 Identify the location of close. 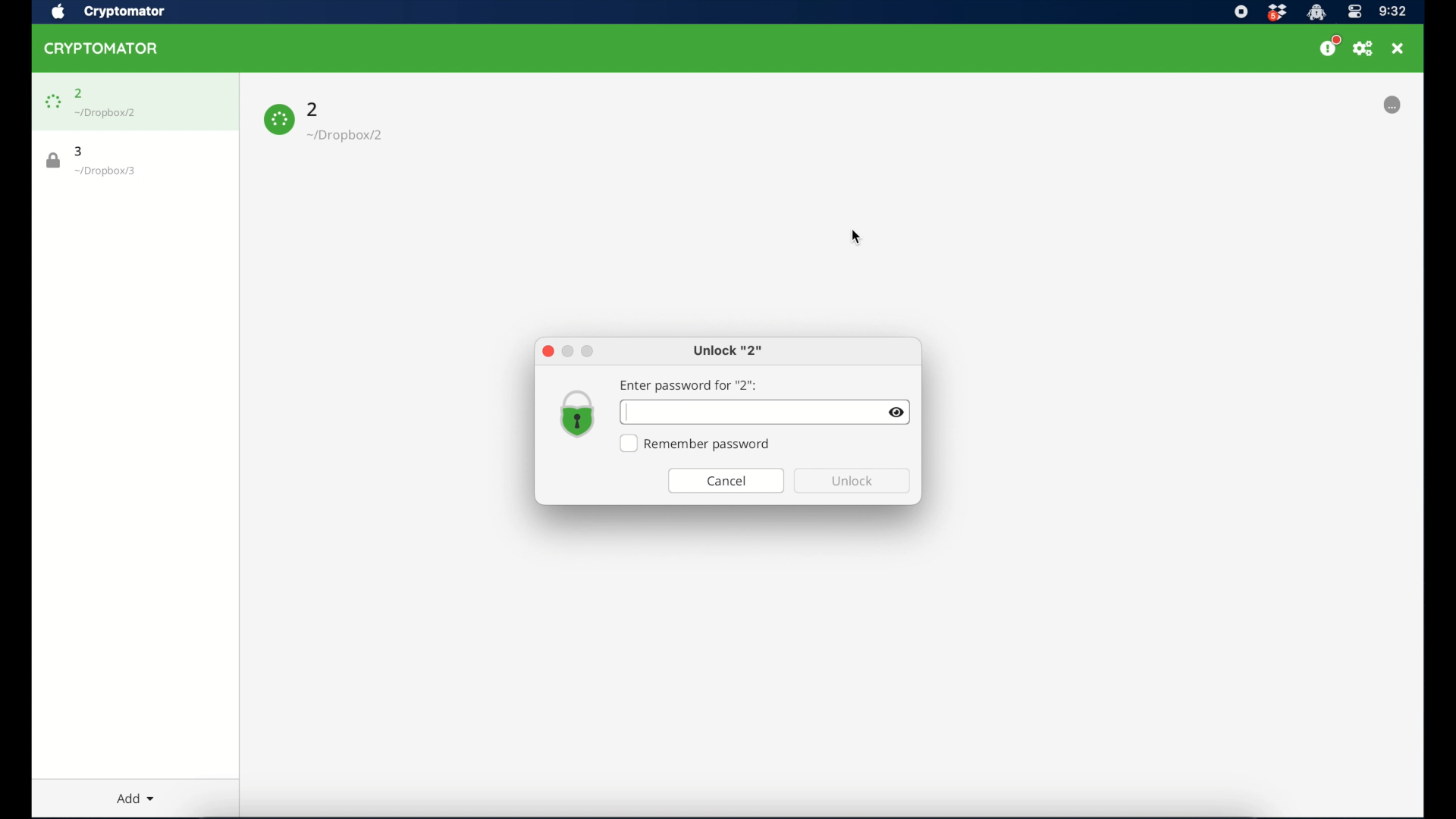
(1399, 49).